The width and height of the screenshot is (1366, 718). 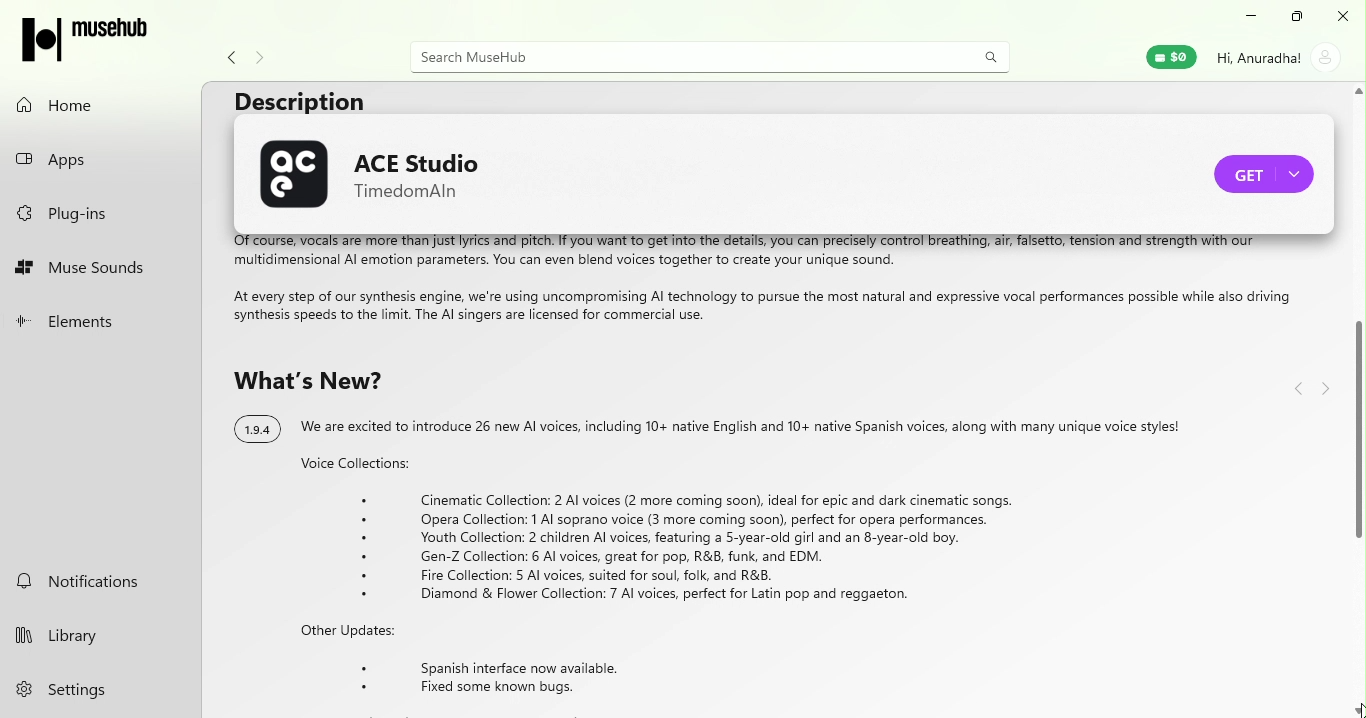 I want to click on close, so click(x=1346, y=17).